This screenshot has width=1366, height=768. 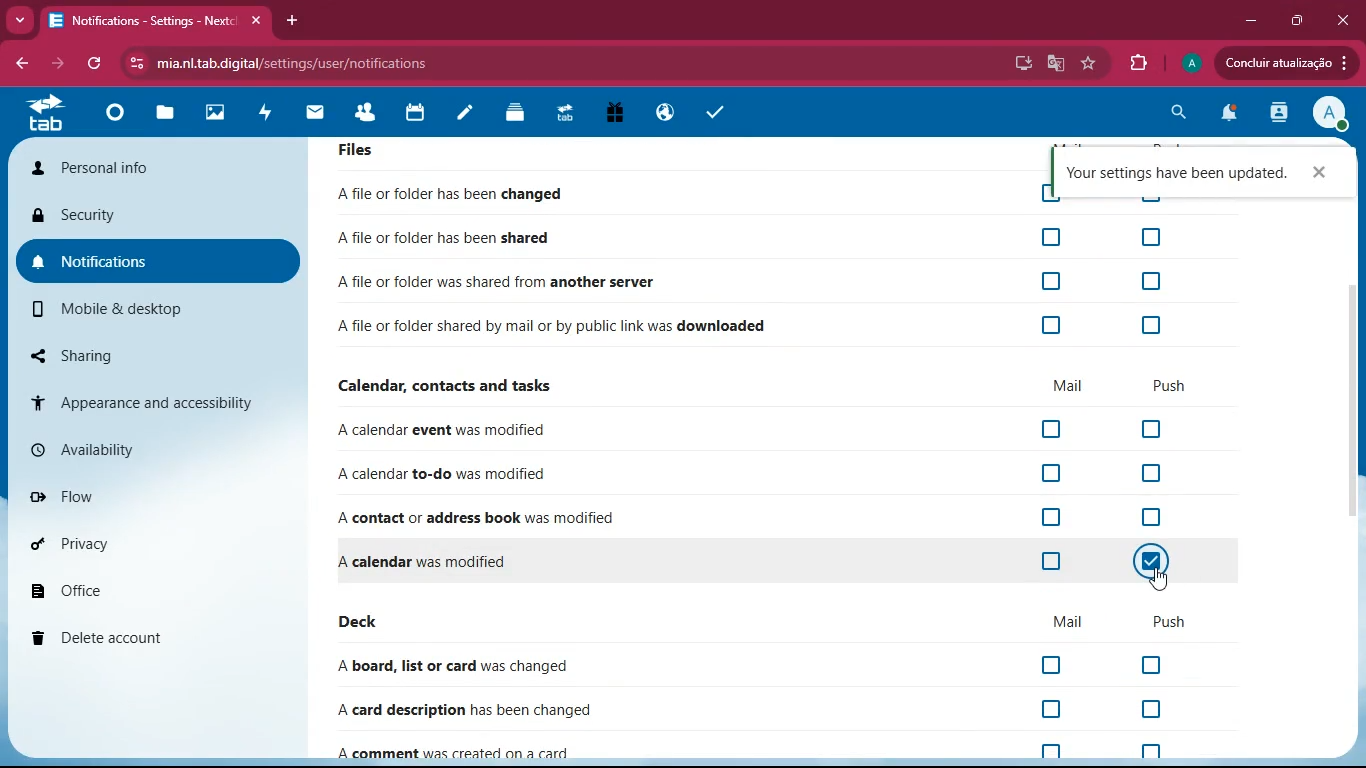 What do you see at coordinates (467, 749) in the screenshot?
I see `comment` at bounding box center [467, 749].